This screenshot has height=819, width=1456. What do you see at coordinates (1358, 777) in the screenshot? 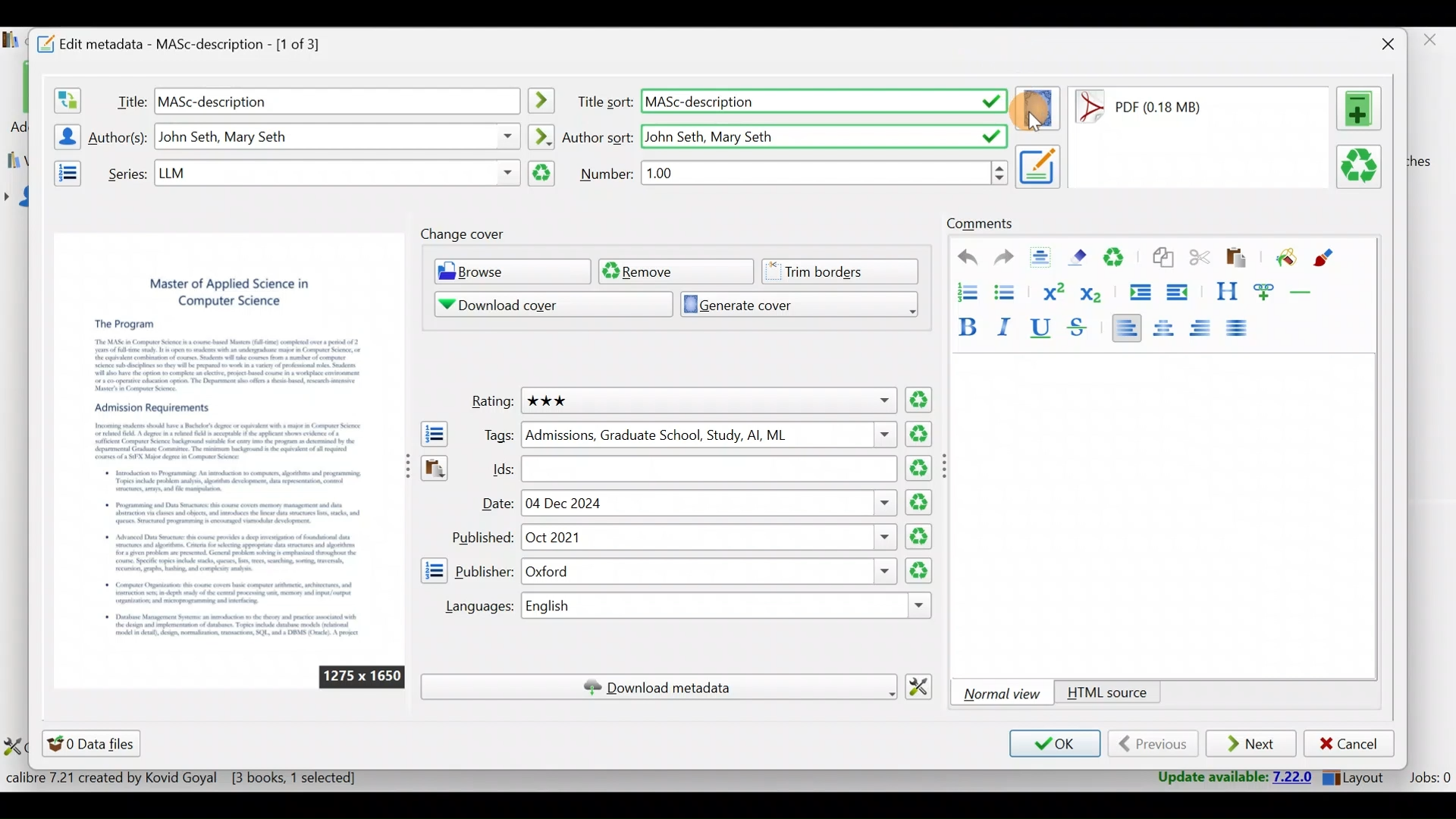
I see `Layouts` at bounding box center [1358, 777].